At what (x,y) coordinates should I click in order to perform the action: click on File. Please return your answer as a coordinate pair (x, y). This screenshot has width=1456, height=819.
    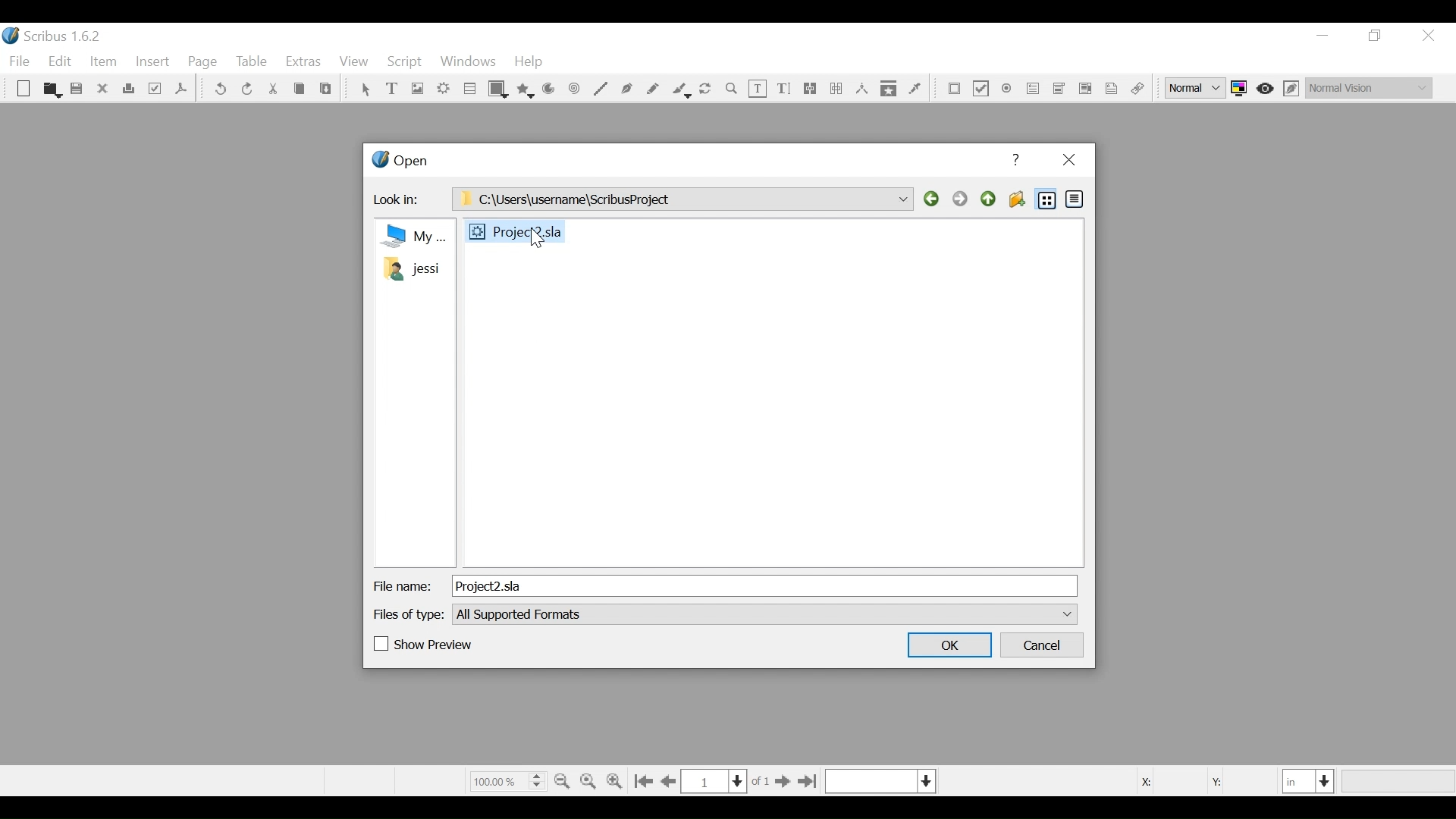
    Looking at the image, I should click on (22, 61).